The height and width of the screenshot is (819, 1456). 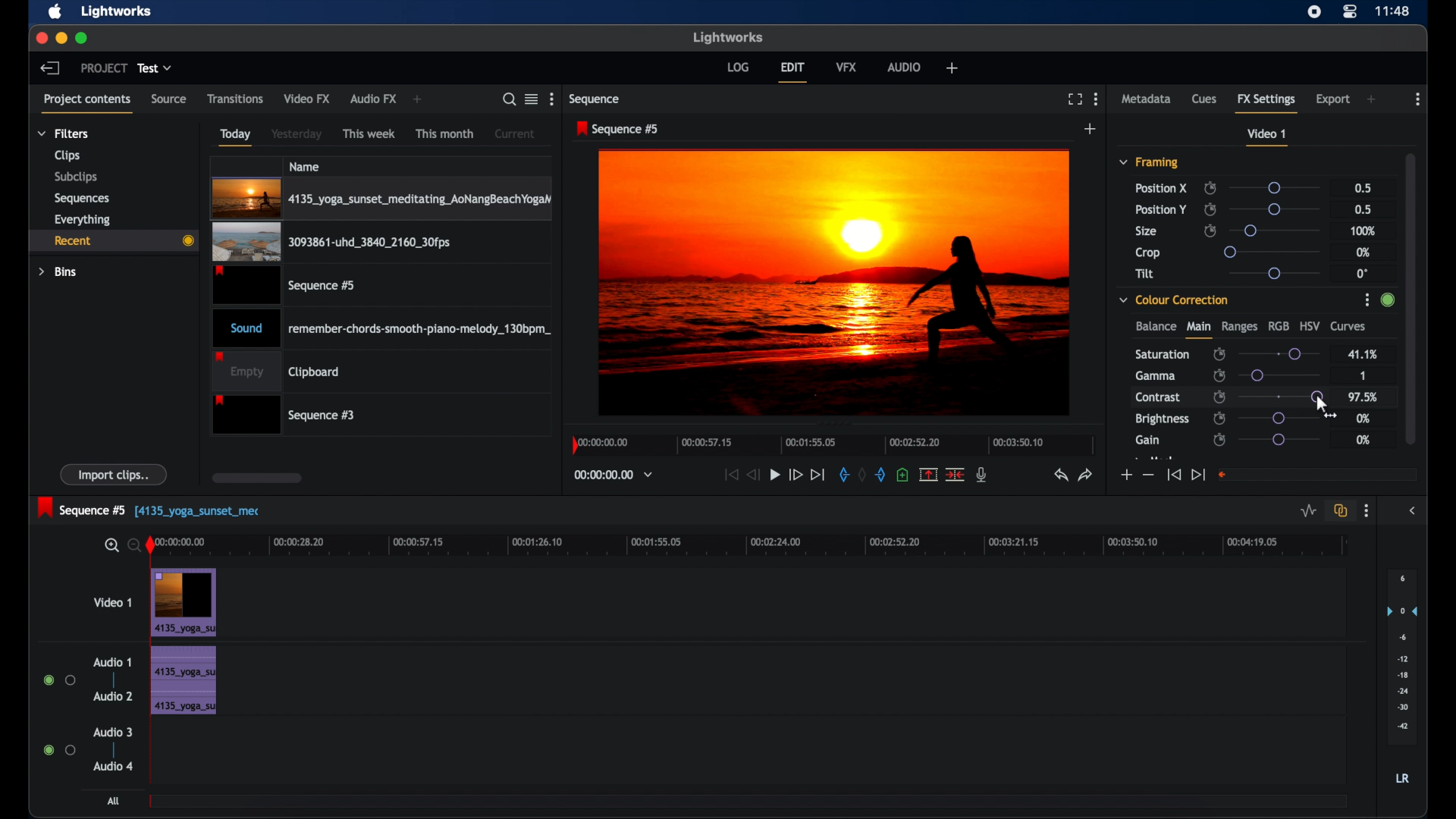 What do you see at coordinates (596, 99) in the screenshot?
I see `sequence` at bounding box center [596, 99].